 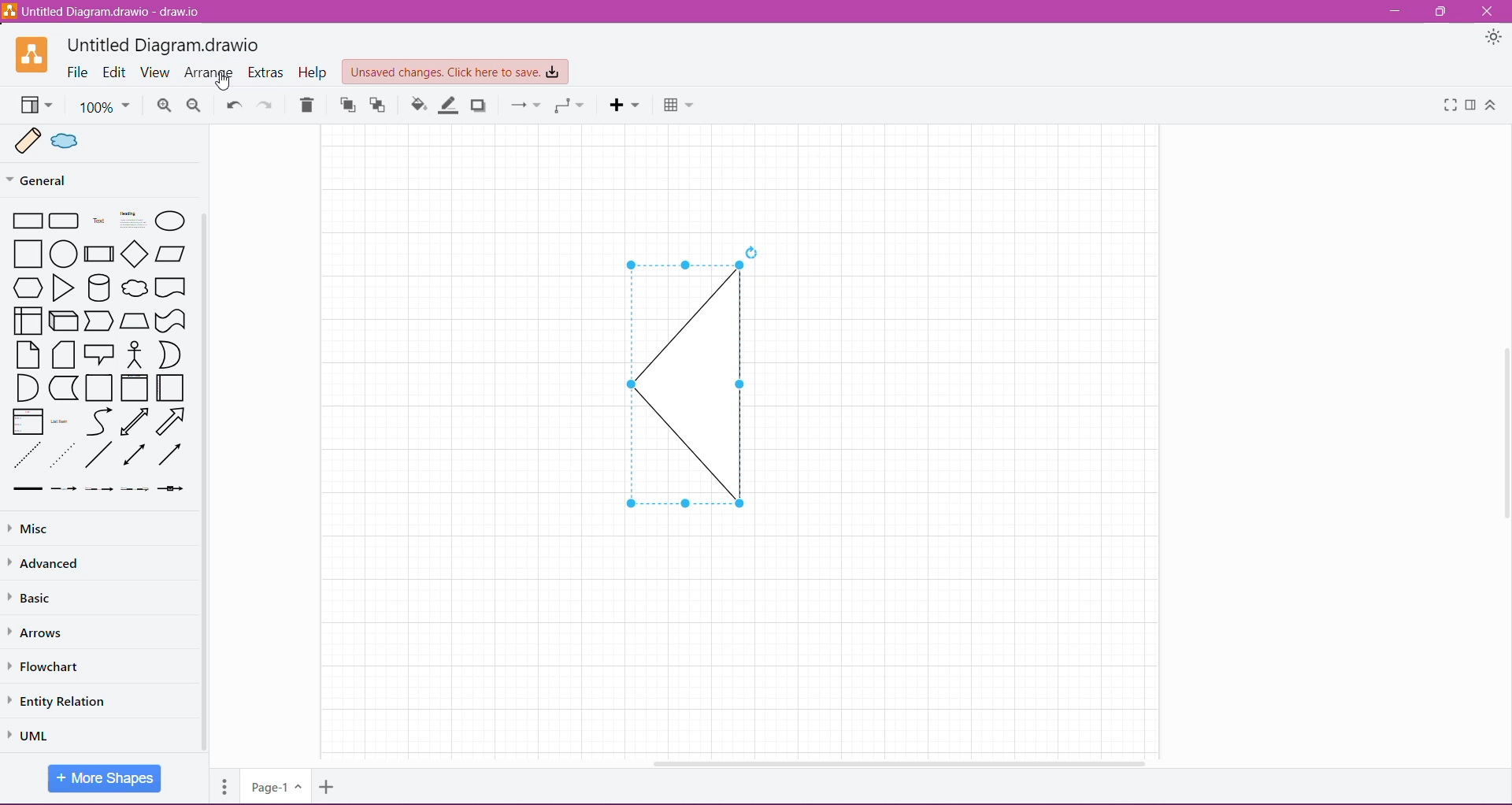 I want to click on Delete, so click(x=308, y=106).